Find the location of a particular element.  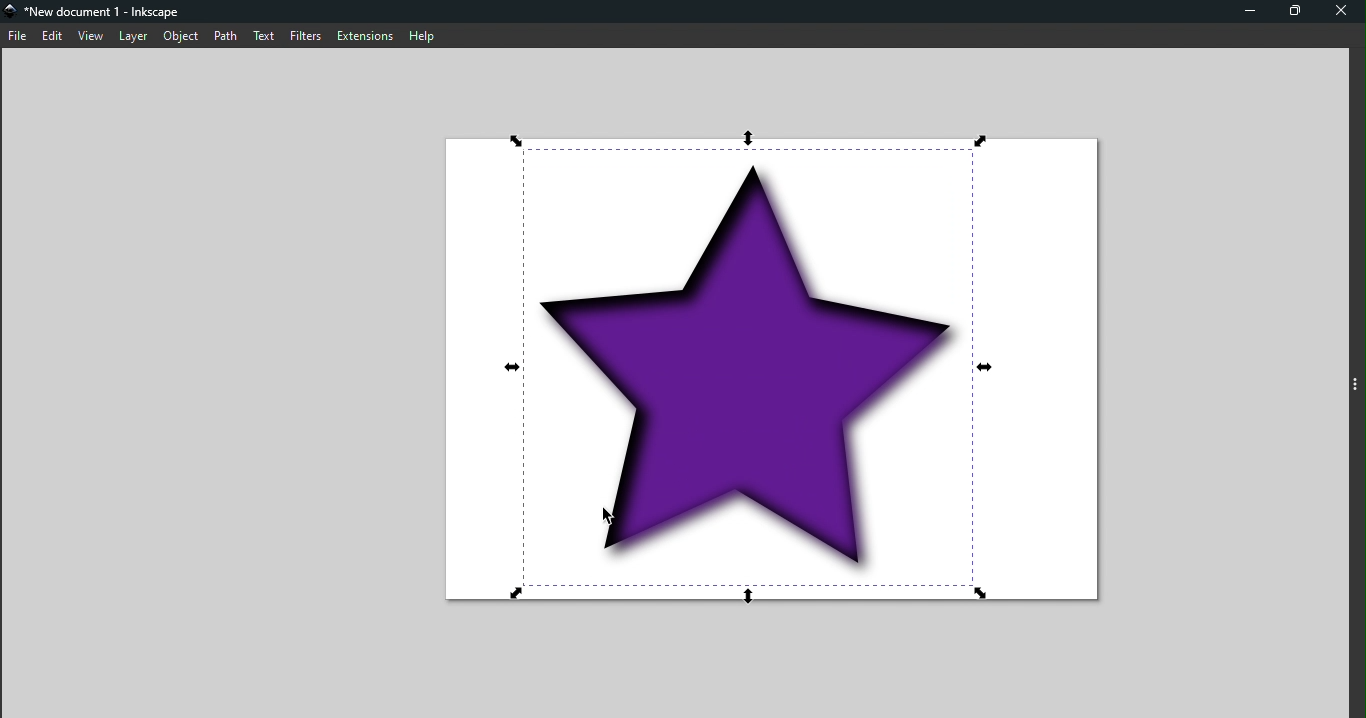

Object is located at coordinates (181, 36).